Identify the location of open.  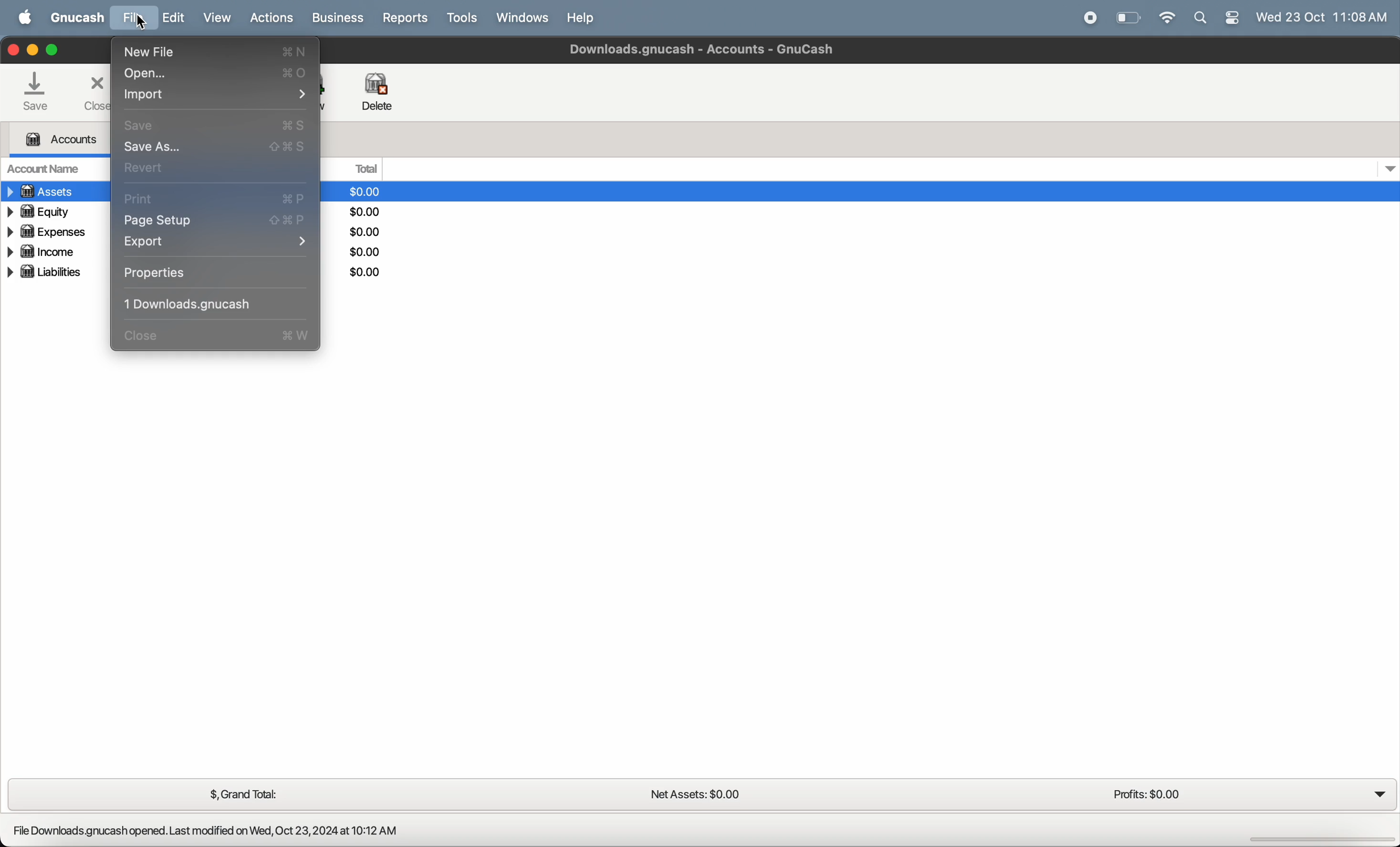
(215, 74).